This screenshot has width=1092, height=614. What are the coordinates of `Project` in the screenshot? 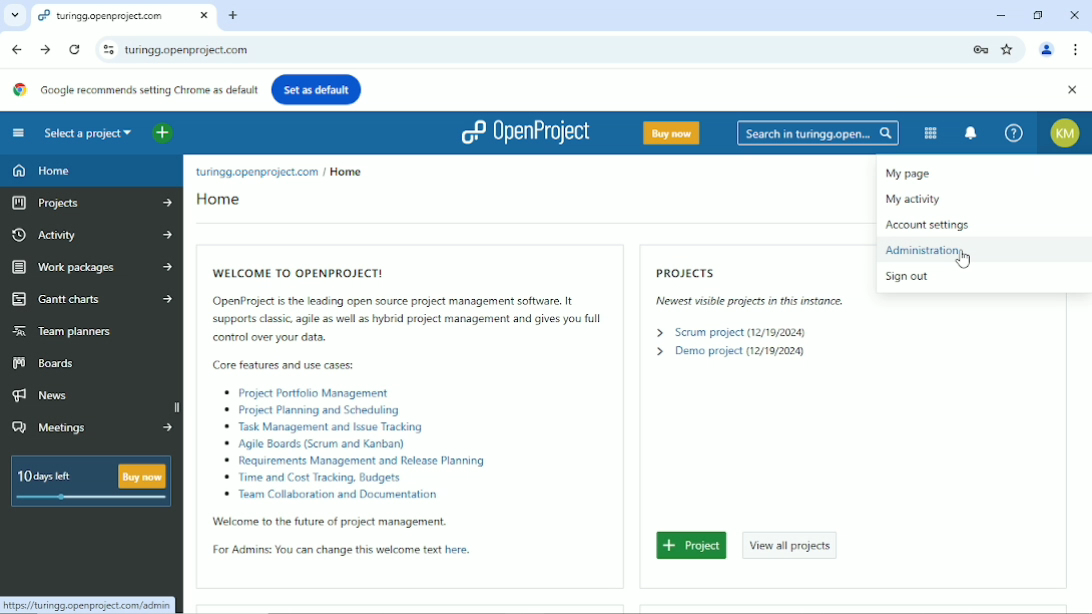 It's located at (693, 546).